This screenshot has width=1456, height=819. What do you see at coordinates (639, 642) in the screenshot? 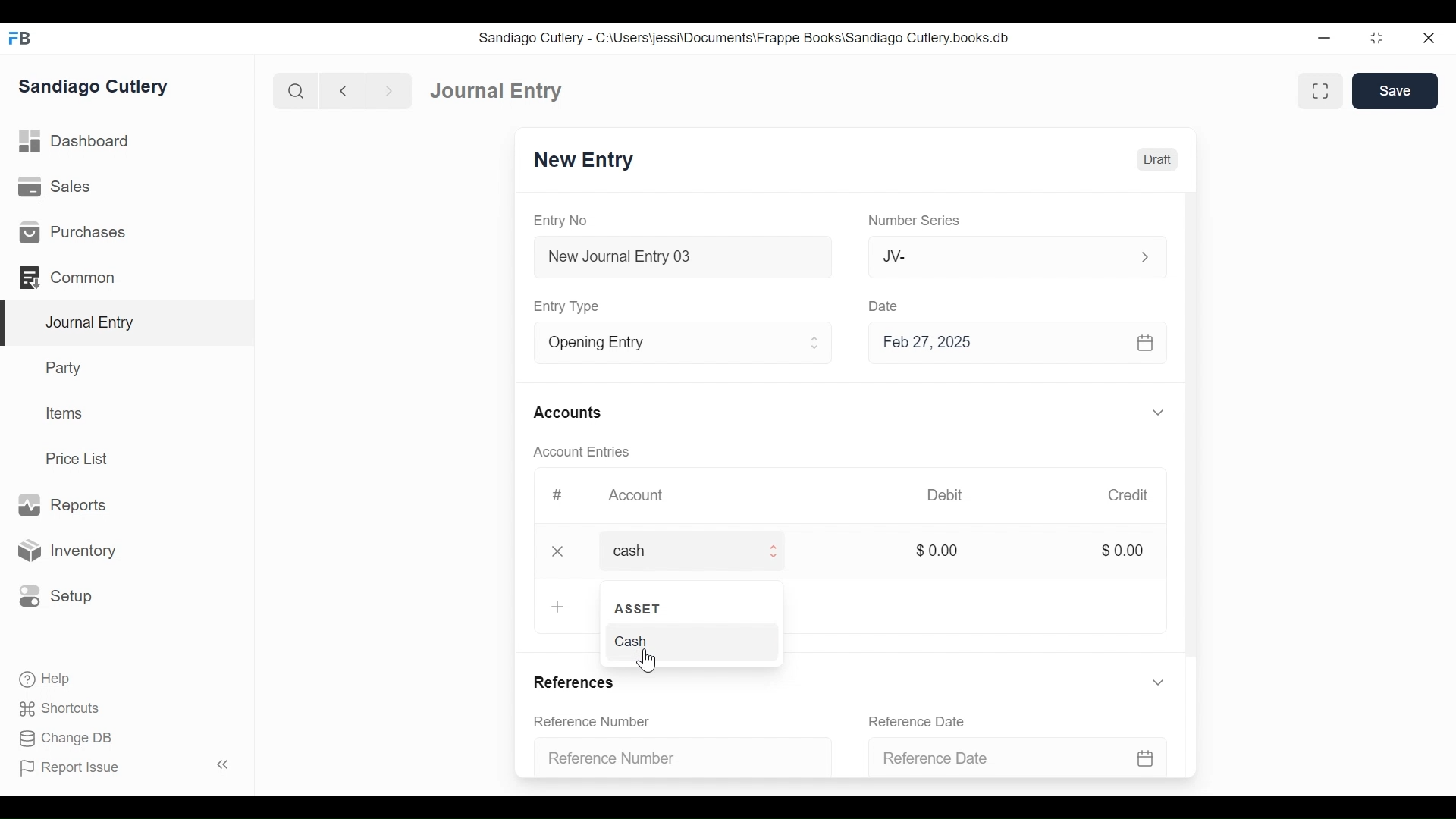
I see `Cash` at bounding box center [639, 642].